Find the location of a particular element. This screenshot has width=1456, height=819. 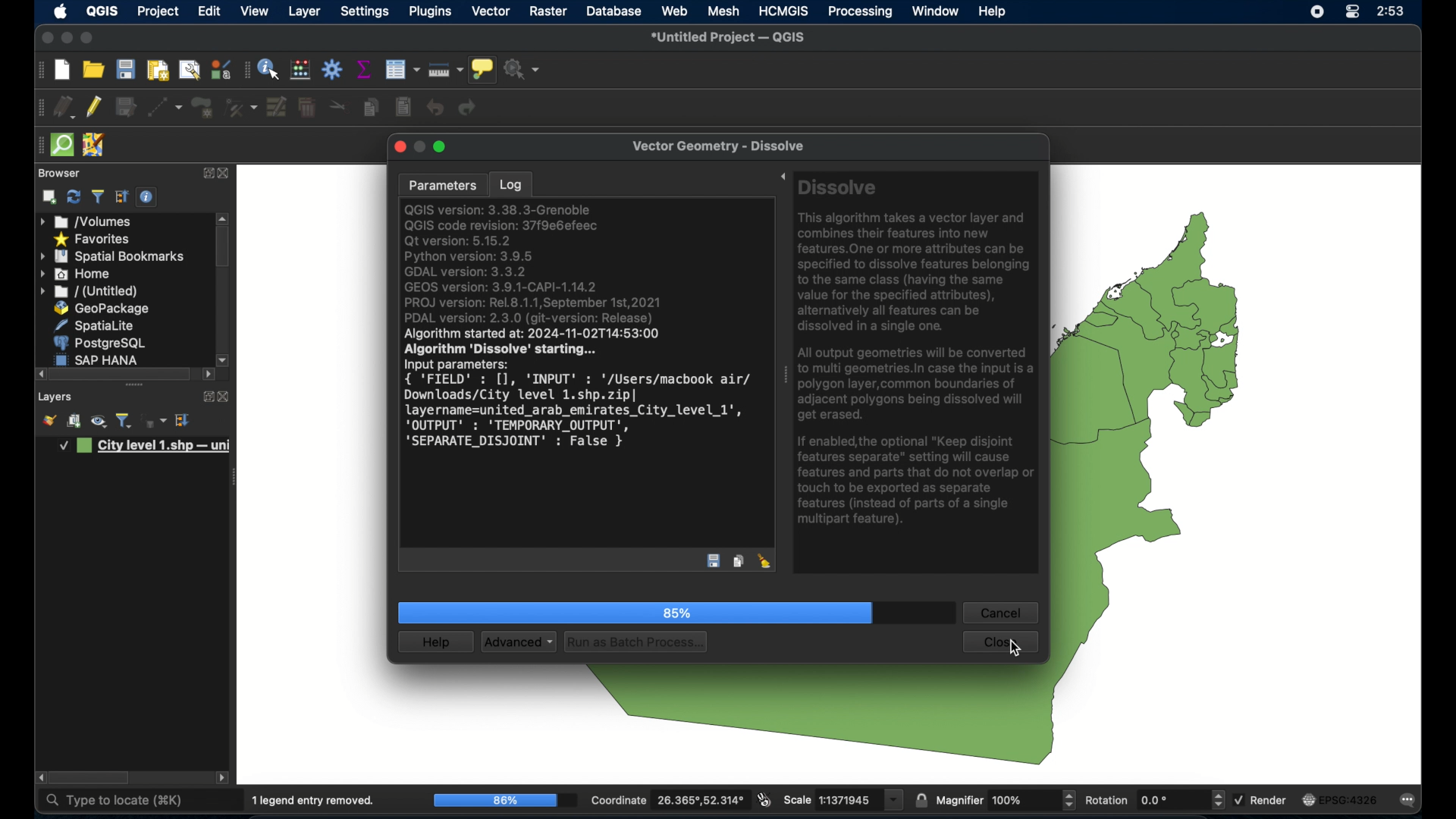

minimize is located at coordinates (65, 39).